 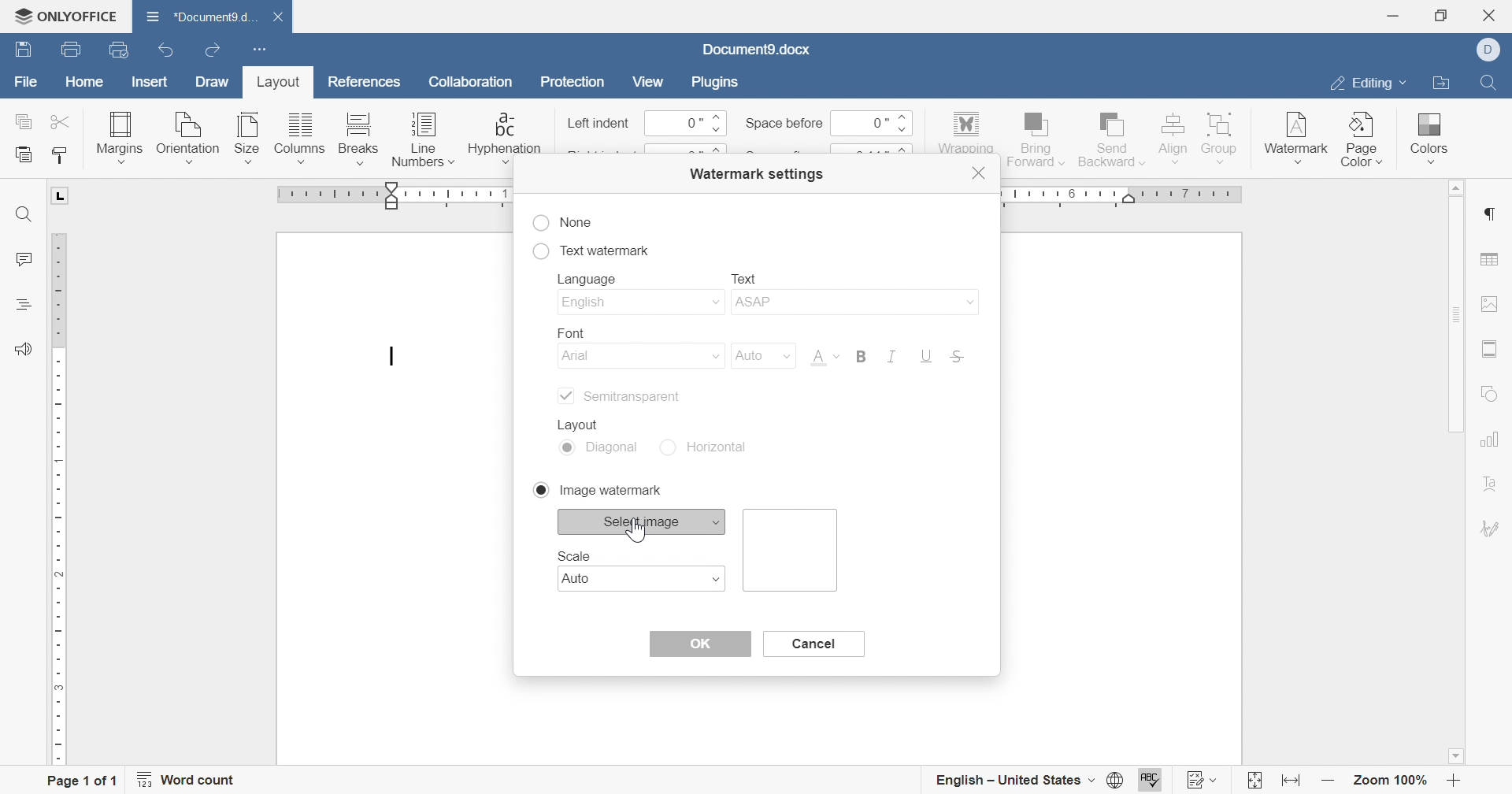 I want to click on paste, so click(x=24, y=155).